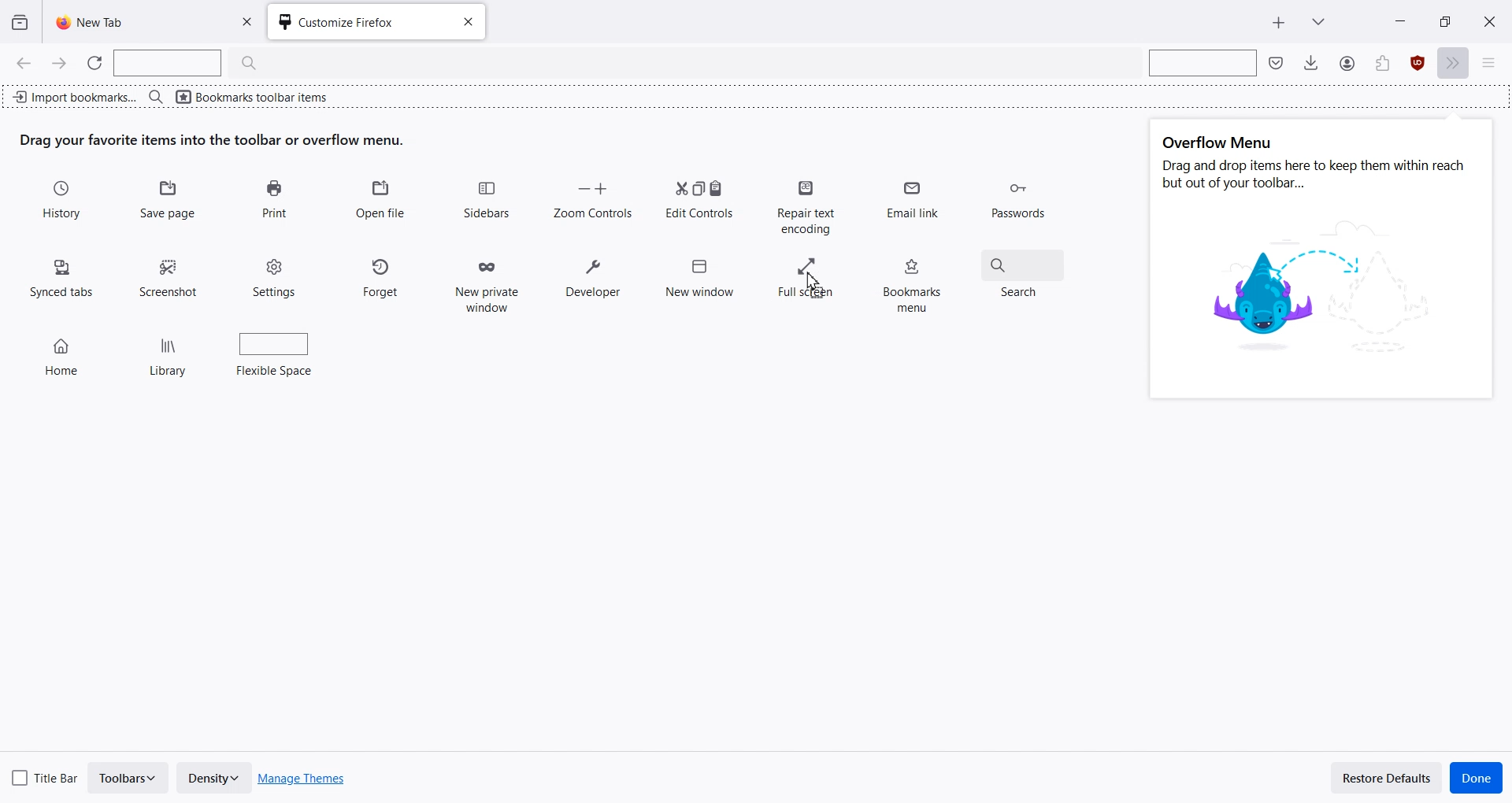 The height and width of the screenshot is (803, 1512). I want to click on Search bar, so click(156, 96).